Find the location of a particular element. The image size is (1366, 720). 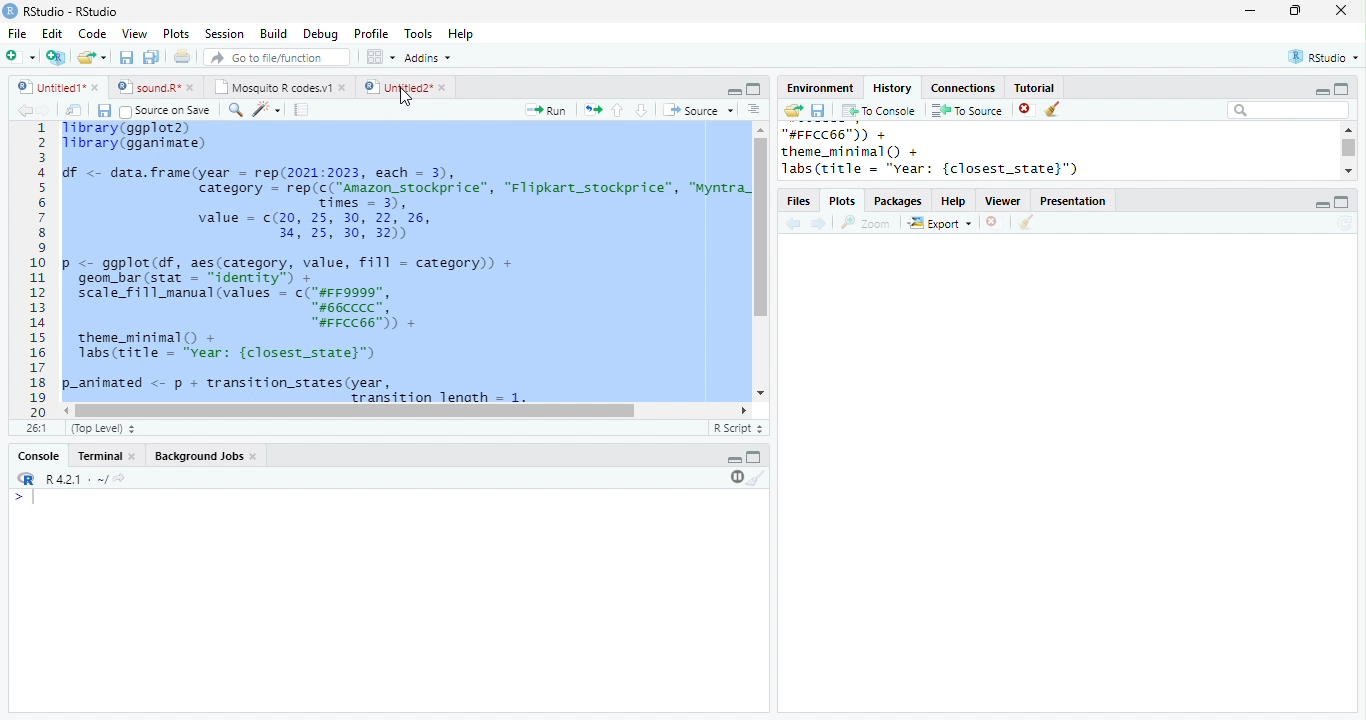

scroll up  is located at coordinates (761, 129).